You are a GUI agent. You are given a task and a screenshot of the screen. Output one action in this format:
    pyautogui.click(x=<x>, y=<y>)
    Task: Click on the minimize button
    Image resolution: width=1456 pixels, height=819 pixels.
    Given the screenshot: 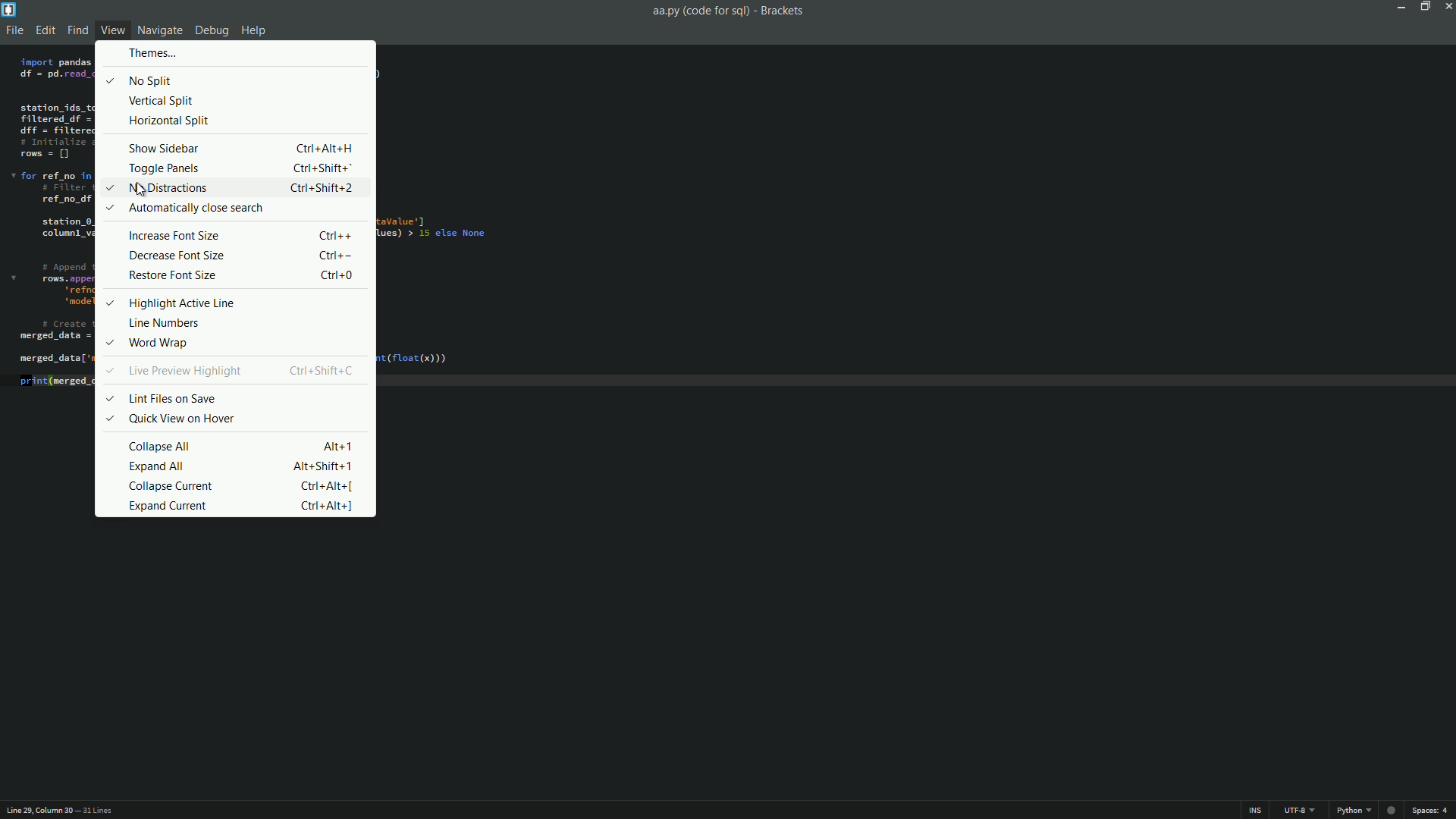 What is the action you would take?
    pyautogui.click(x=1402, y=8)
    